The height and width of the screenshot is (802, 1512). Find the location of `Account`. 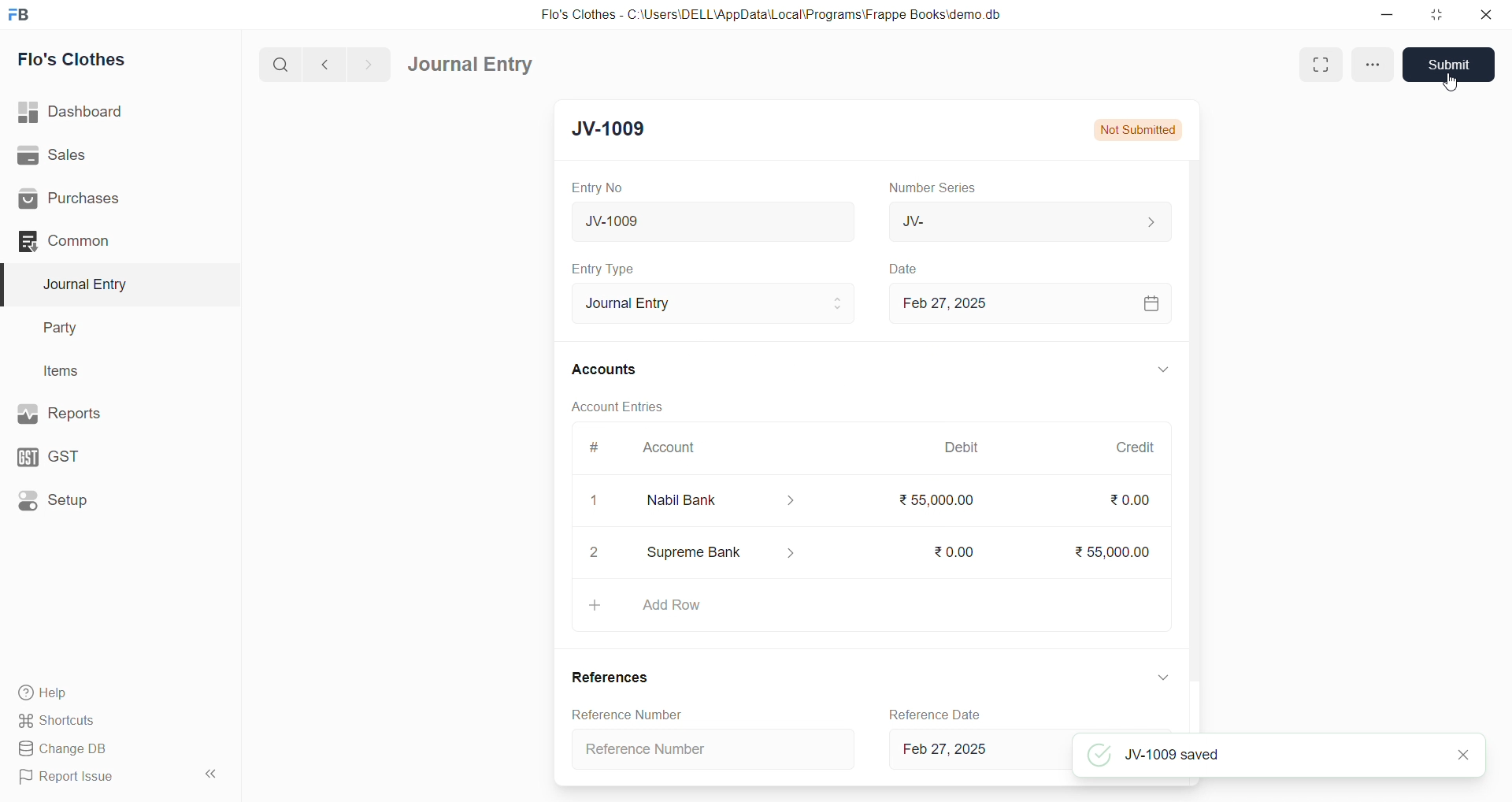

Account is located at coordinates (676, 446).